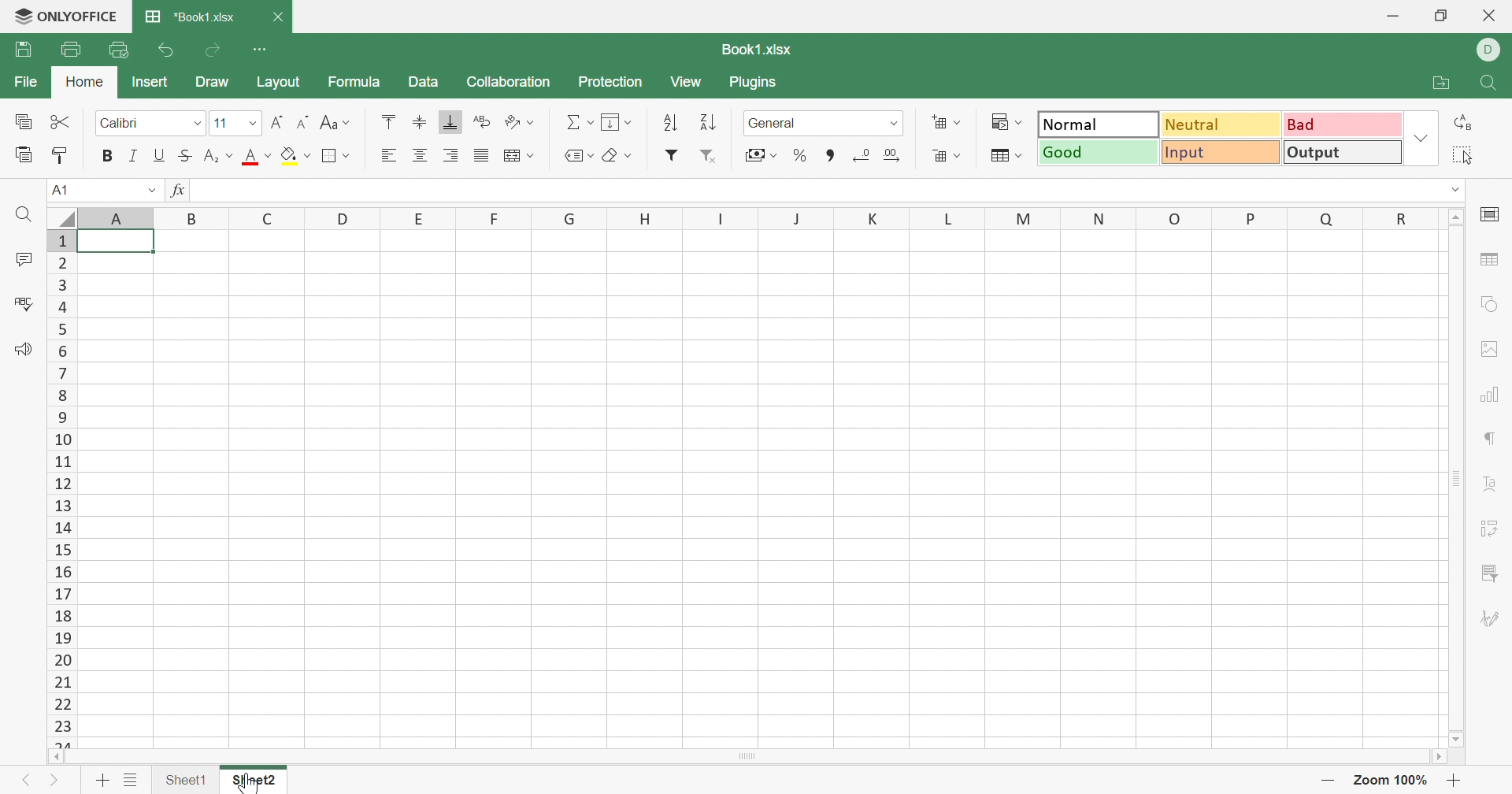  Describe the element at coordinates (69, 46) in the screenshot. I see `Print` at that location.